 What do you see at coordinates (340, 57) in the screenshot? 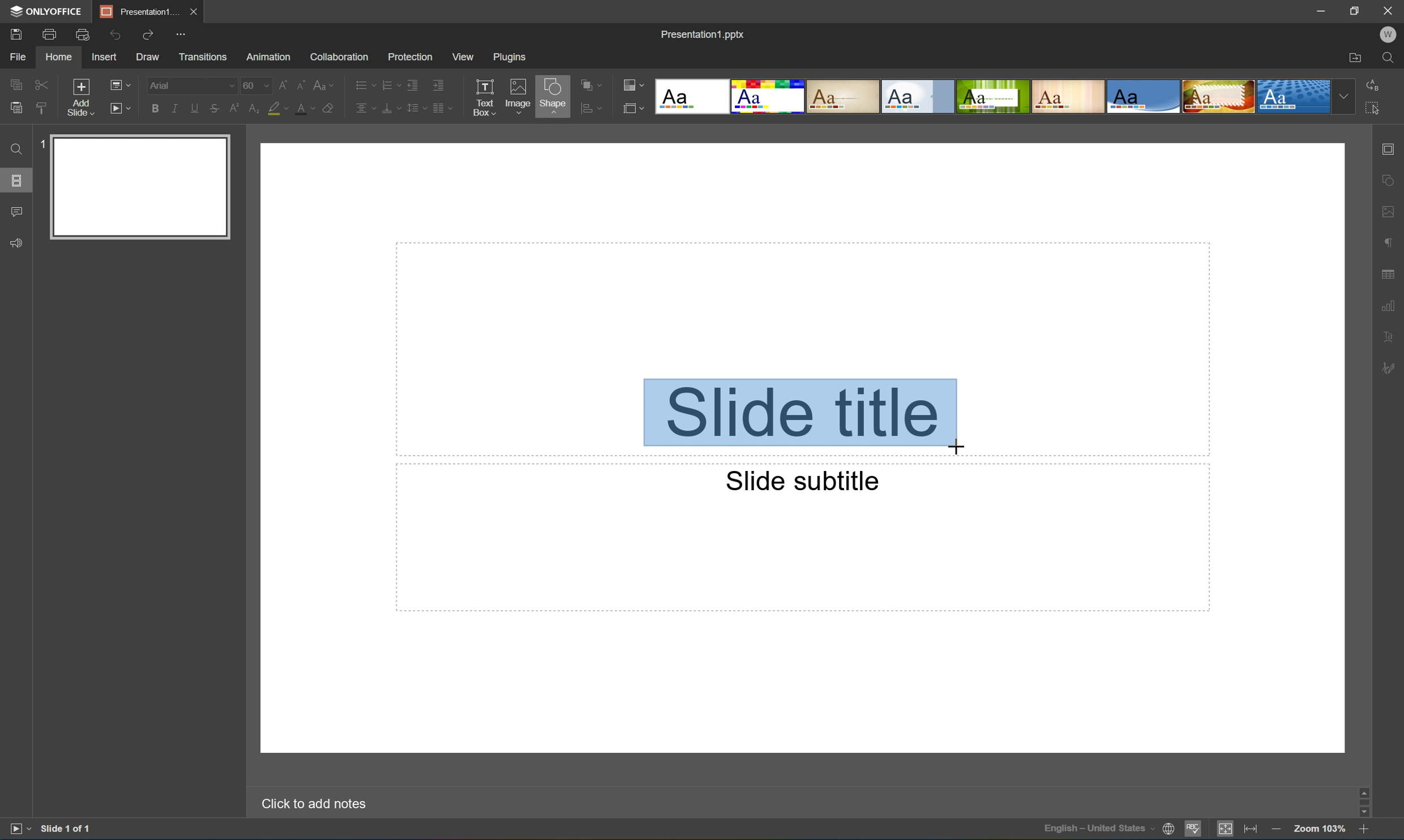
I see `Collaboration` at bounding box center [340, 57].